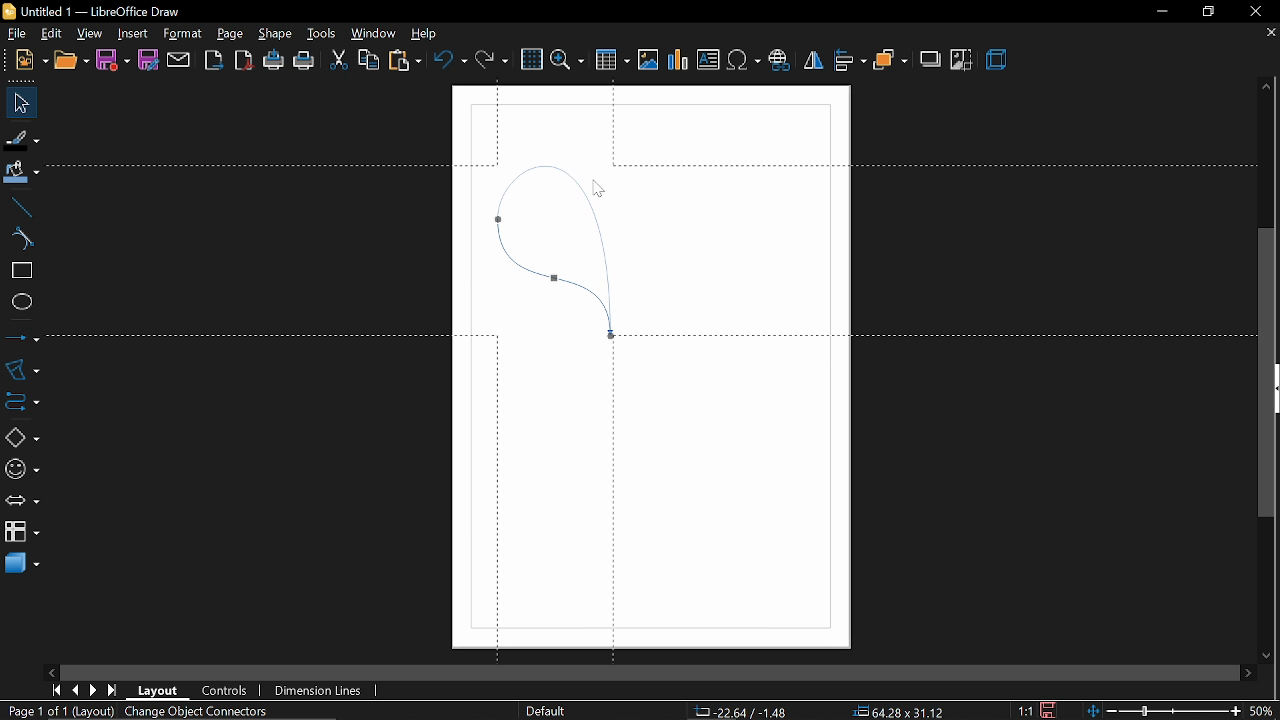 This screenshot has height=720, width=1280. Describe the element at coordinates (743, 61) in the screenshot. I see `Insert symbol` at that location.